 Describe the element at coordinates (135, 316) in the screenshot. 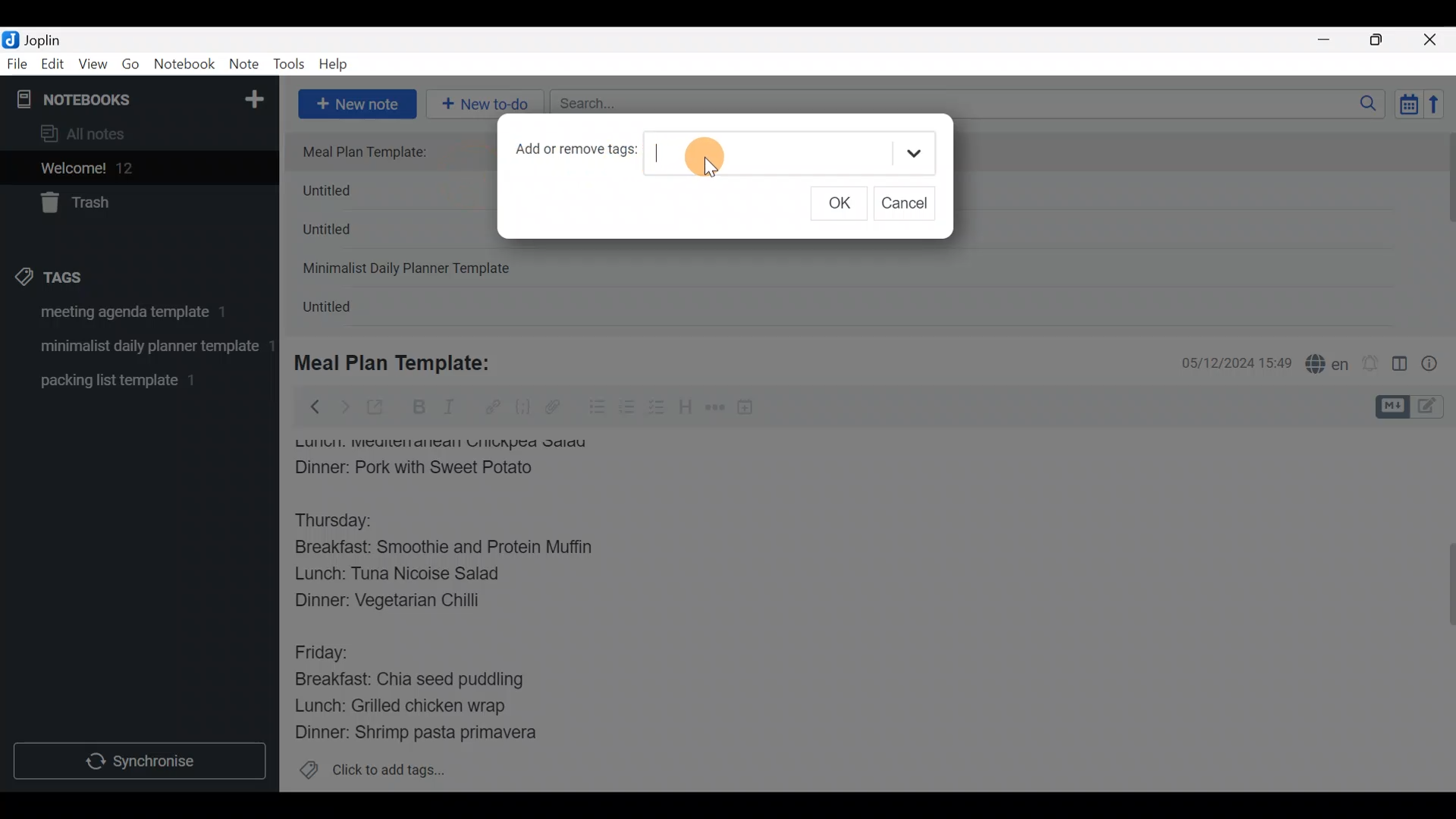

I see `Tag 1` at that location.